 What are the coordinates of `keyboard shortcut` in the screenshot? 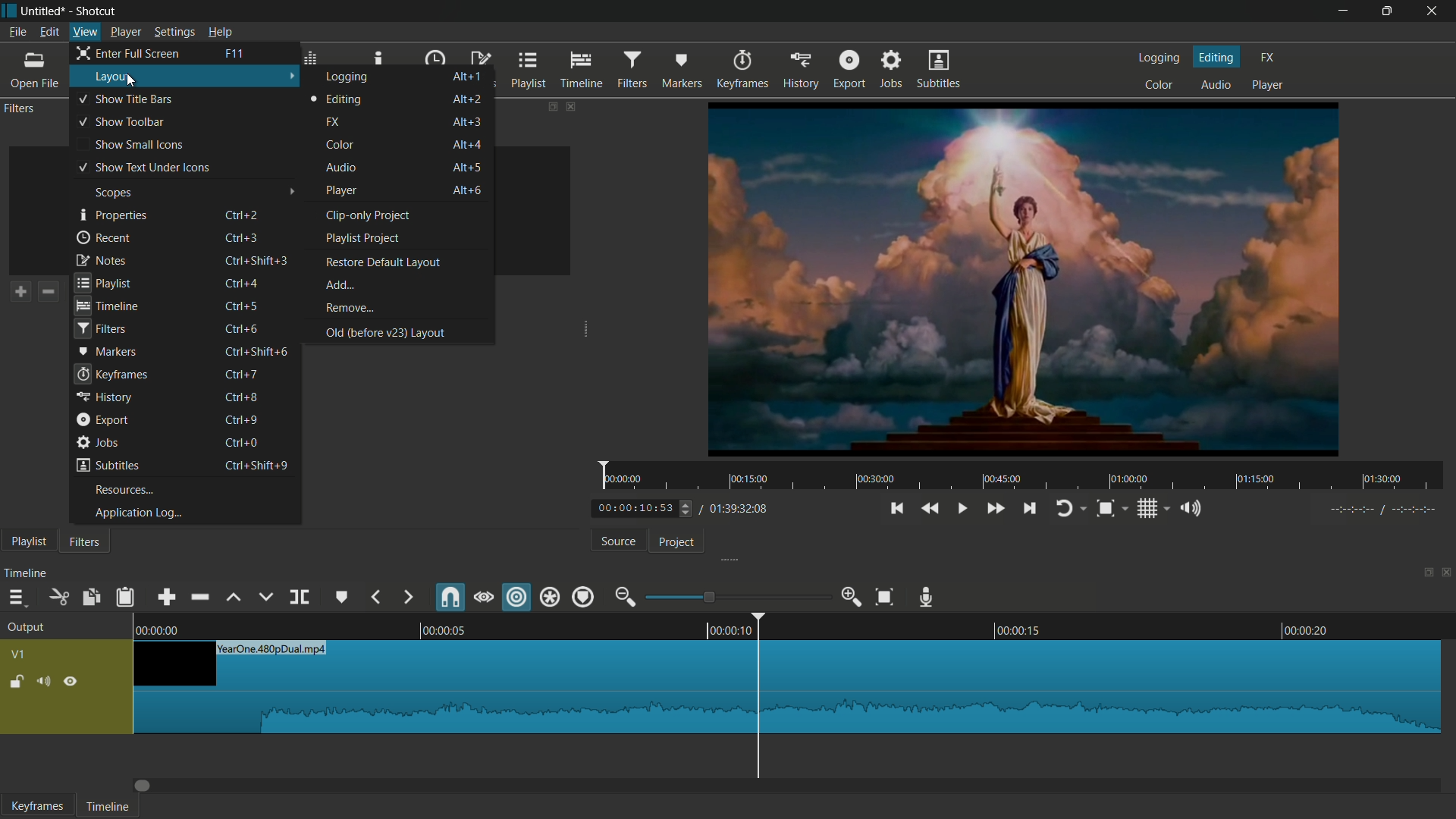 It's located at (255, 465).